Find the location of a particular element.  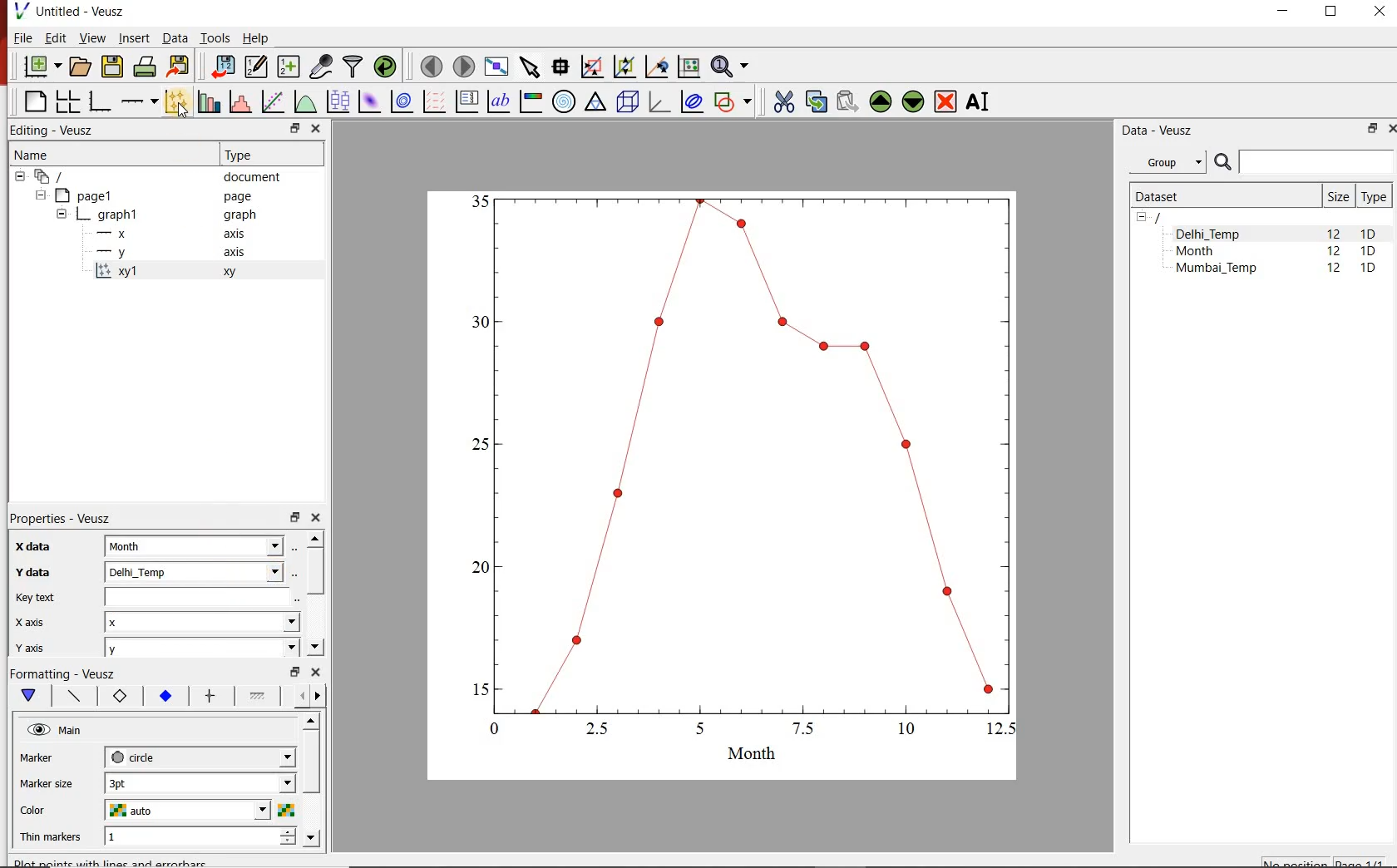

Main formatting is located at coordinates (26, 696).